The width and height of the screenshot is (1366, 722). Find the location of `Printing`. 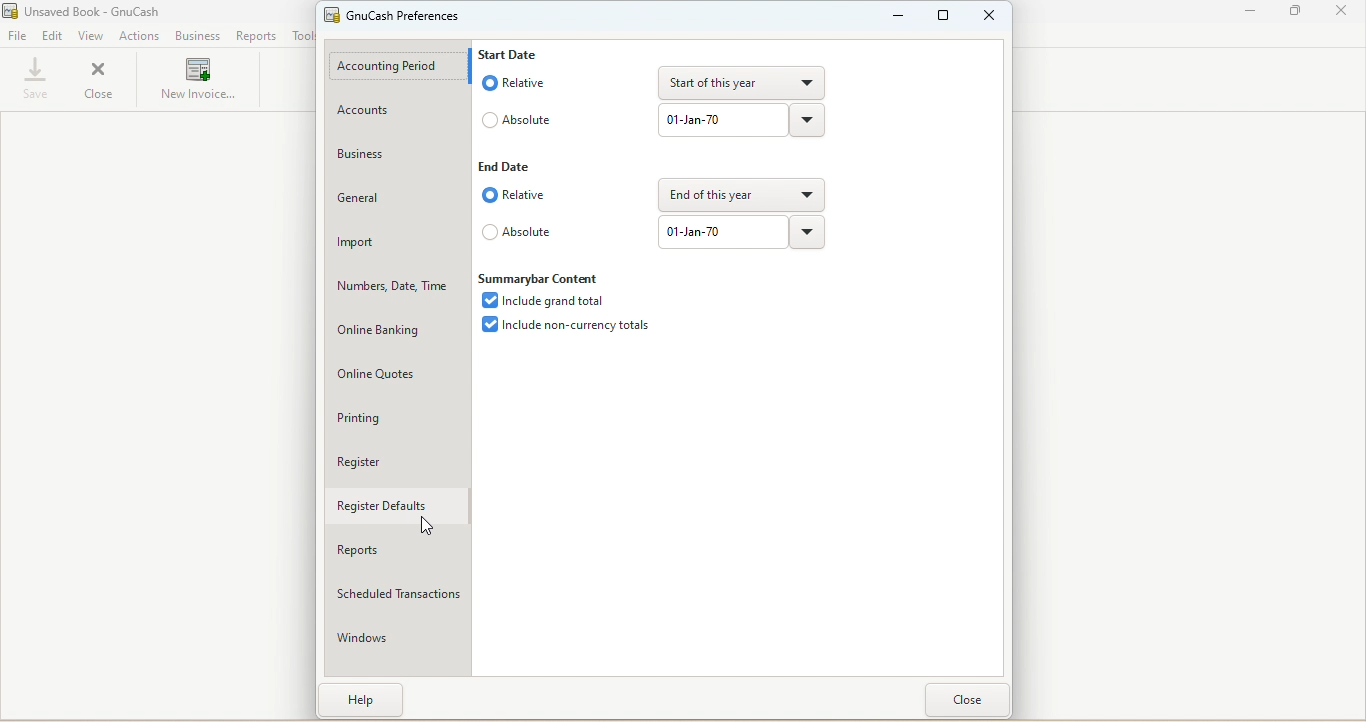

Printing is located at coordinates (398, 419).